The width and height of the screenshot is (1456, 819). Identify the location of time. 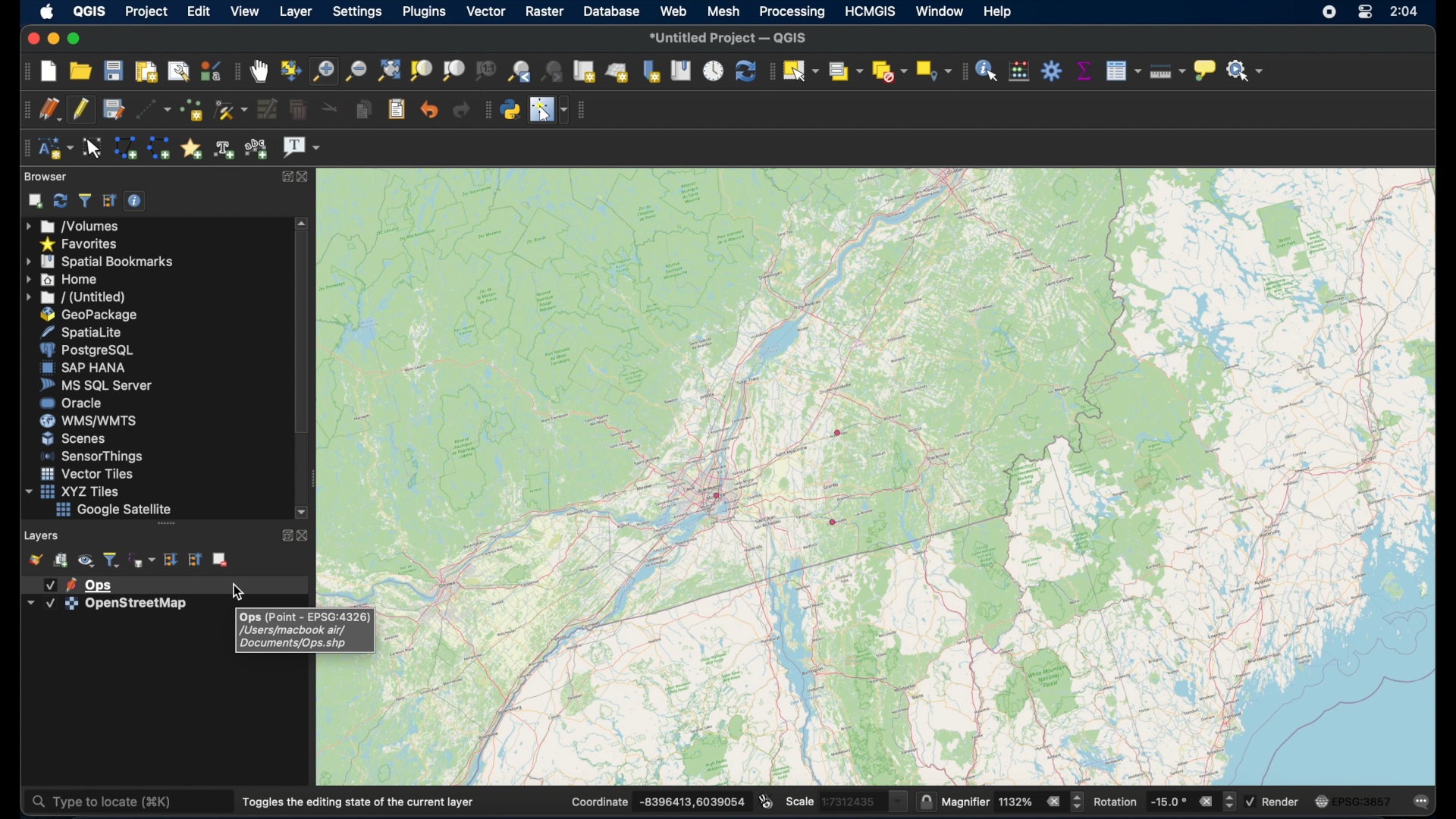
(1403, 11).